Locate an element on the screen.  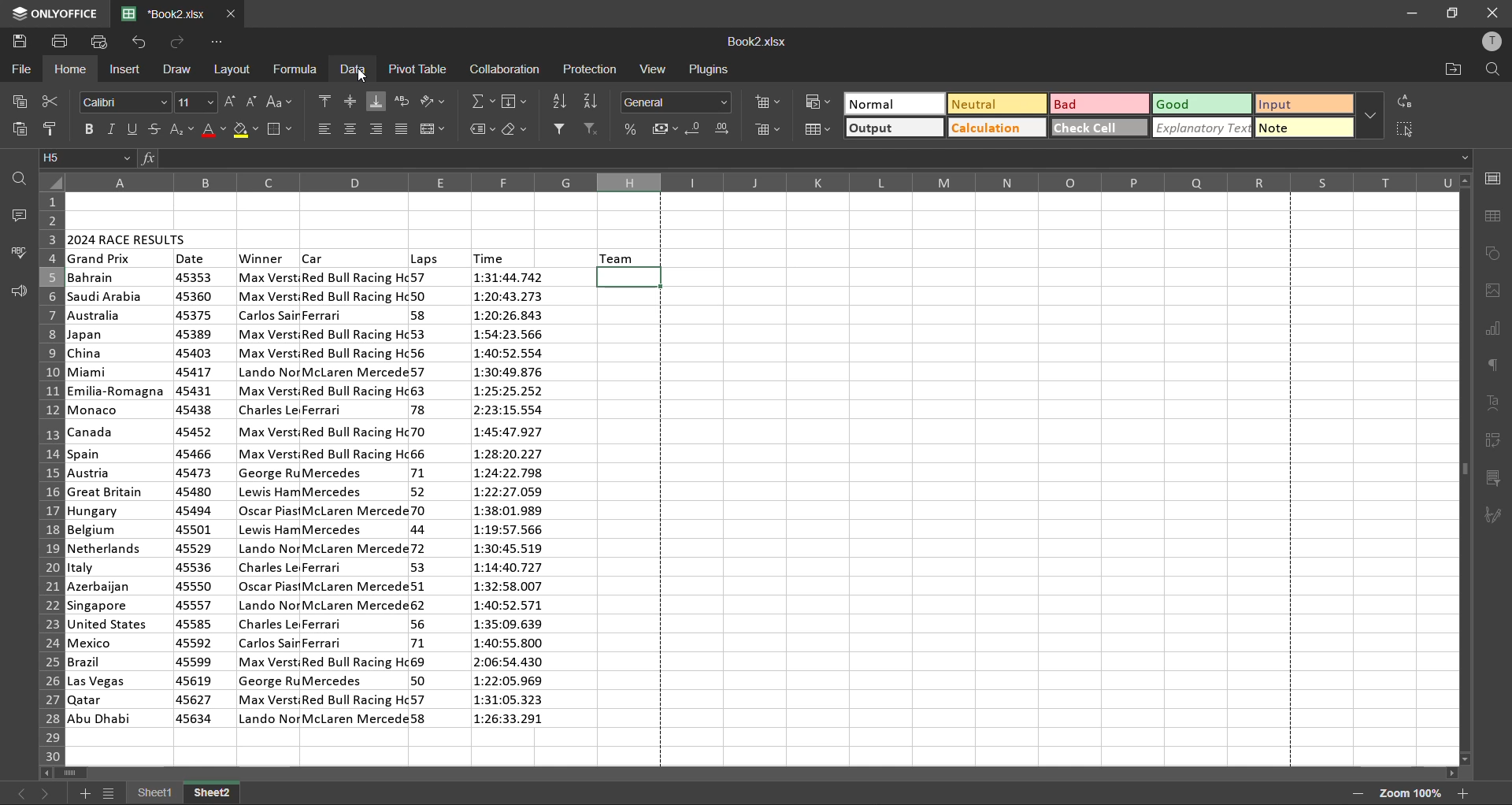
borders is located at coordinates (280, 129).